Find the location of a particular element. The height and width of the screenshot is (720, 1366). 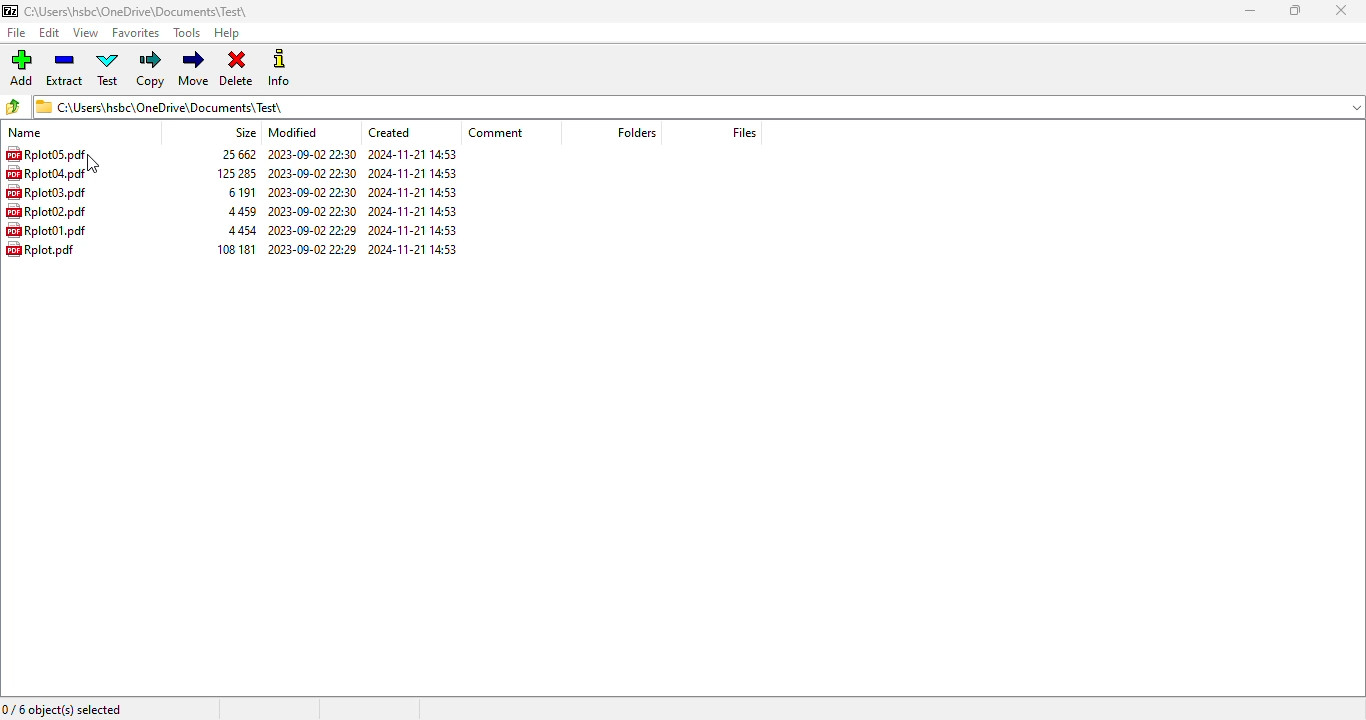

created date & time is located at coordinates (413, 211).